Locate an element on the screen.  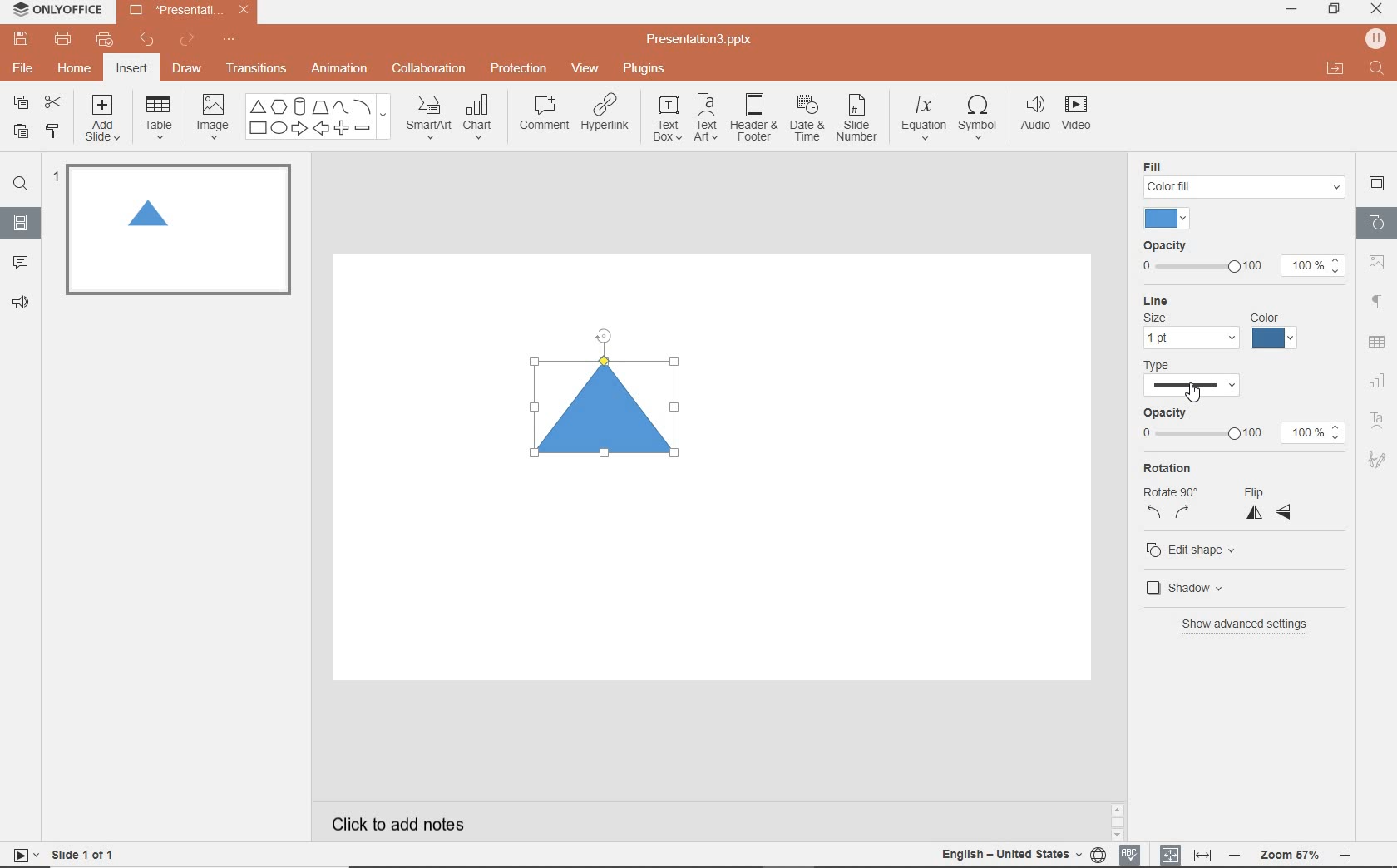
CUSTOMIZE QUICK ACCESS TOOLBAR is located at coordinates (229, 40).